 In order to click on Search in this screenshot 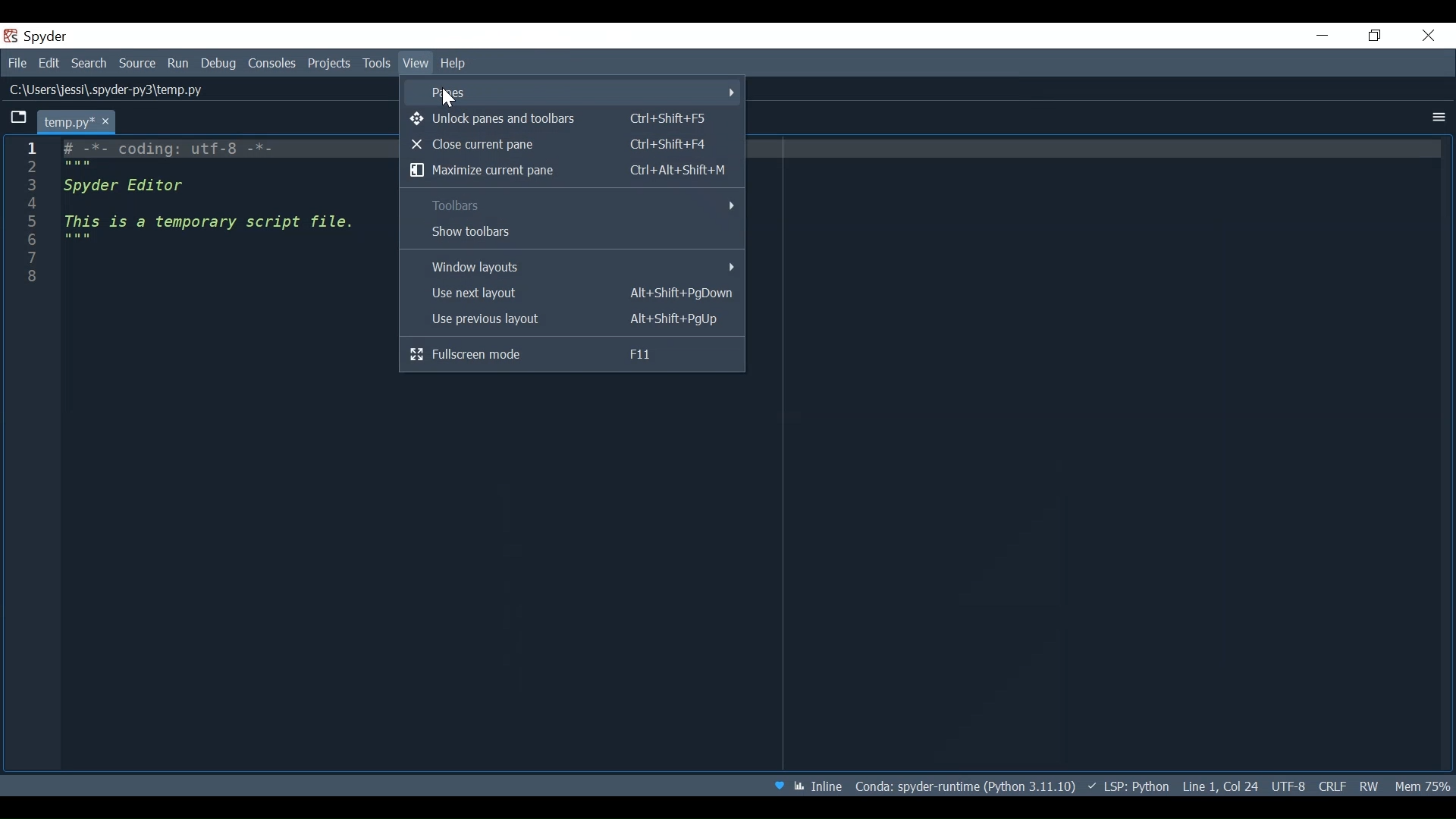, I will do `click(89, 61)`.